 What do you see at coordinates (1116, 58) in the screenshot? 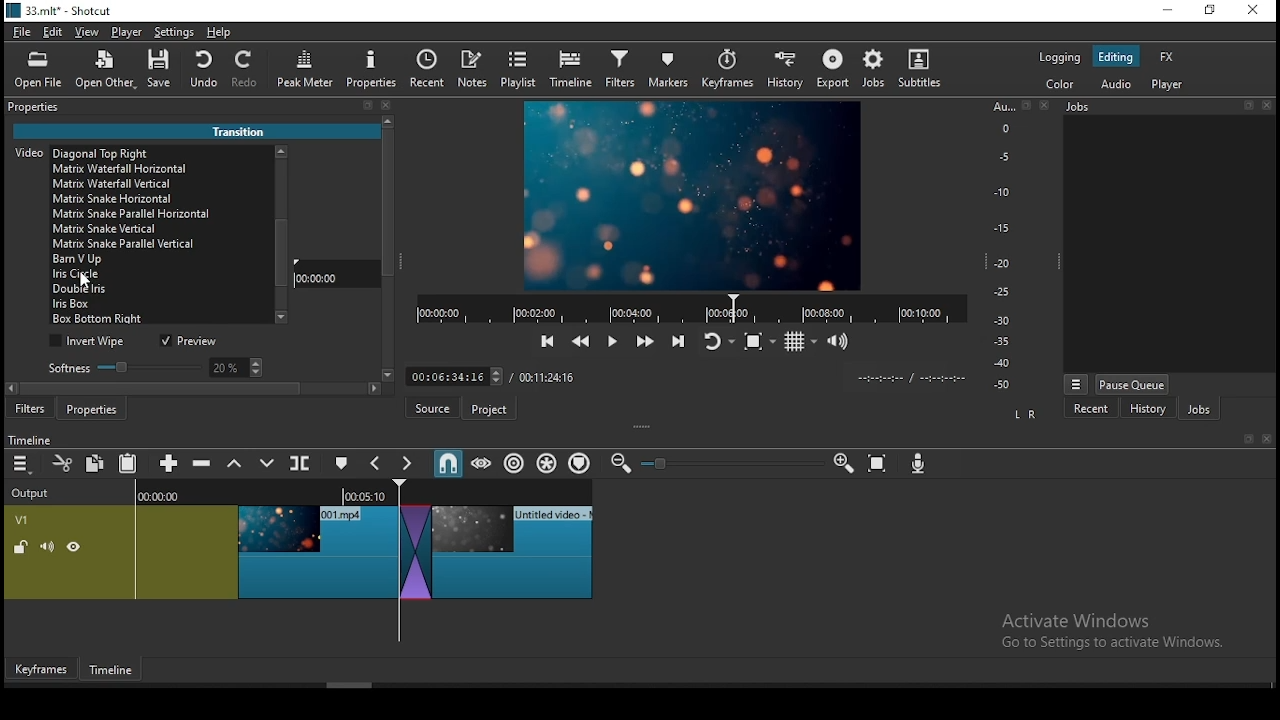
I see `editing` at bounding box center [1116, 58].